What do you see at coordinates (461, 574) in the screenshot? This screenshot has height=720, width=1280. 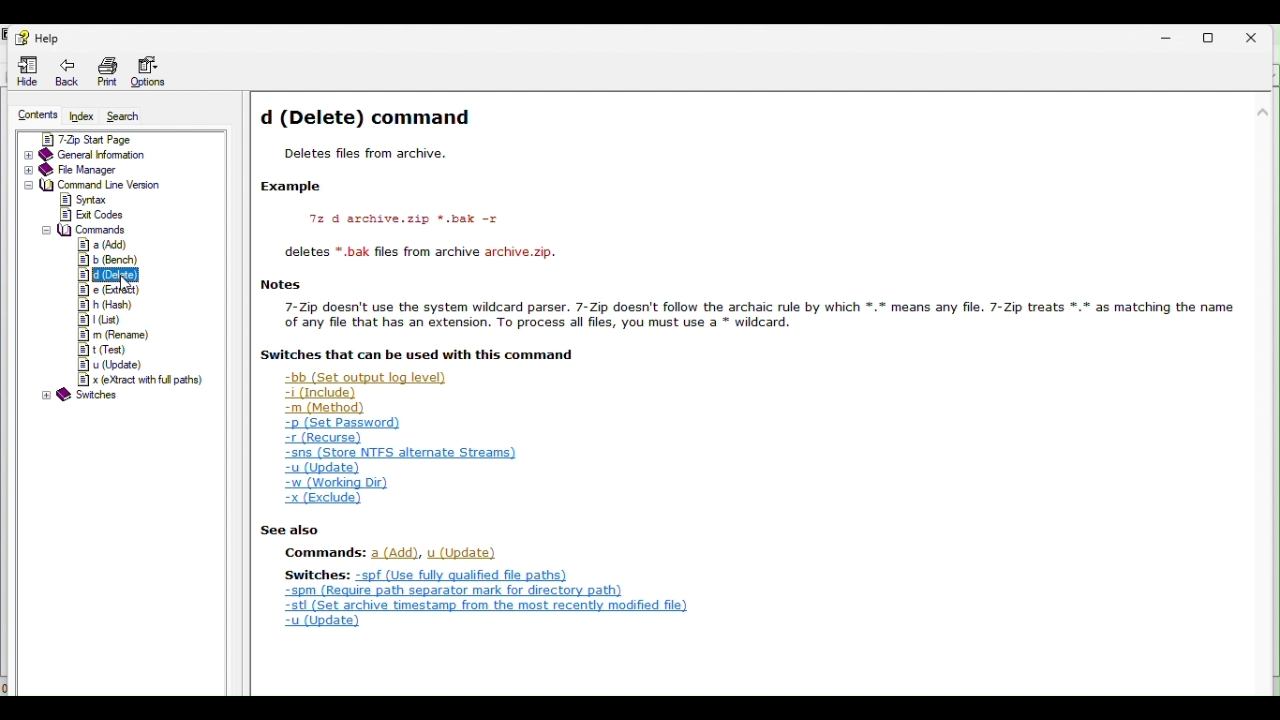 I see `+ apf (Use fully qualified file ¢` at bounding box center [461, 574].